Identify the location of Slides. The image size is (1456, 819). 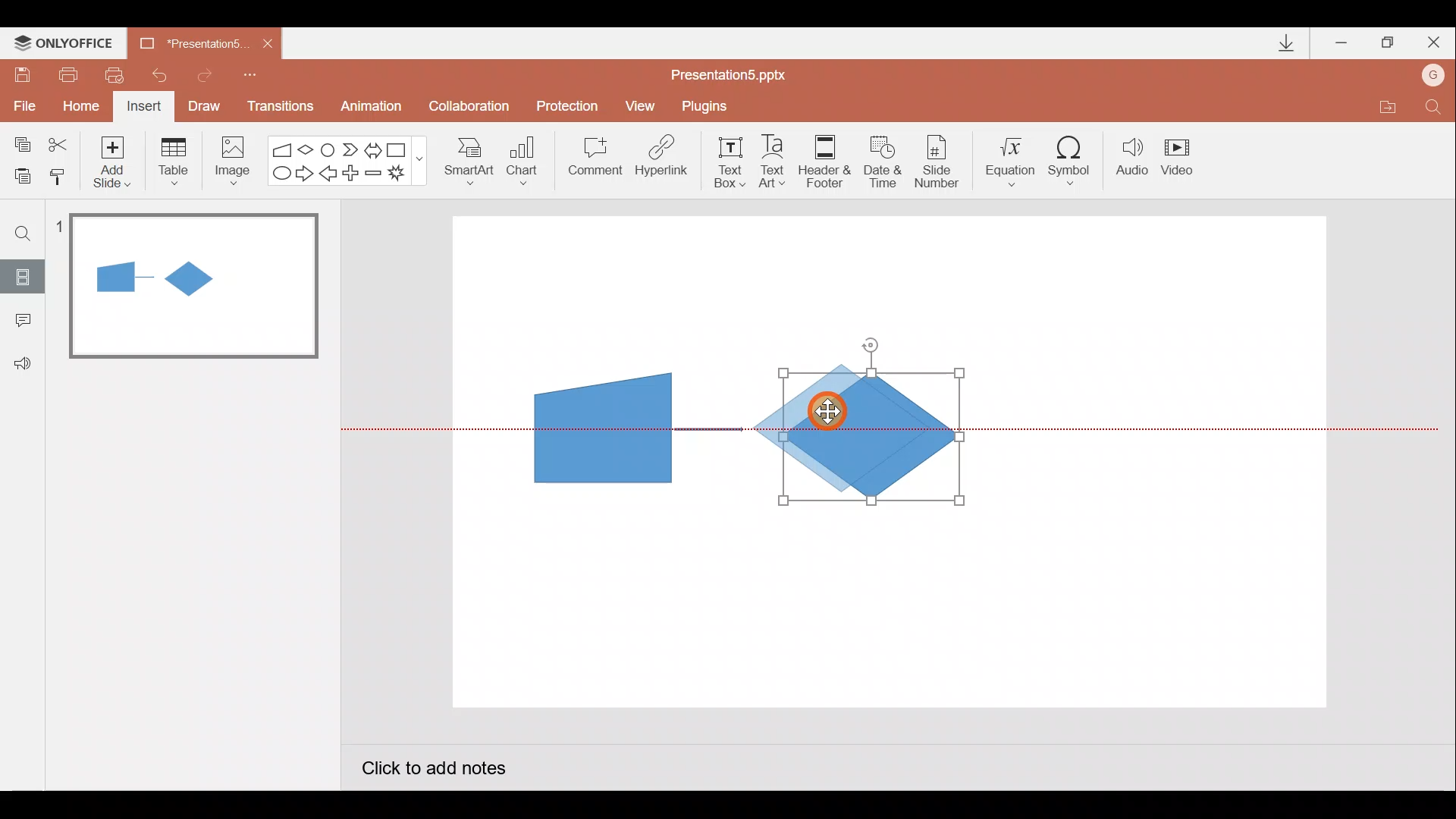
(22, 276).